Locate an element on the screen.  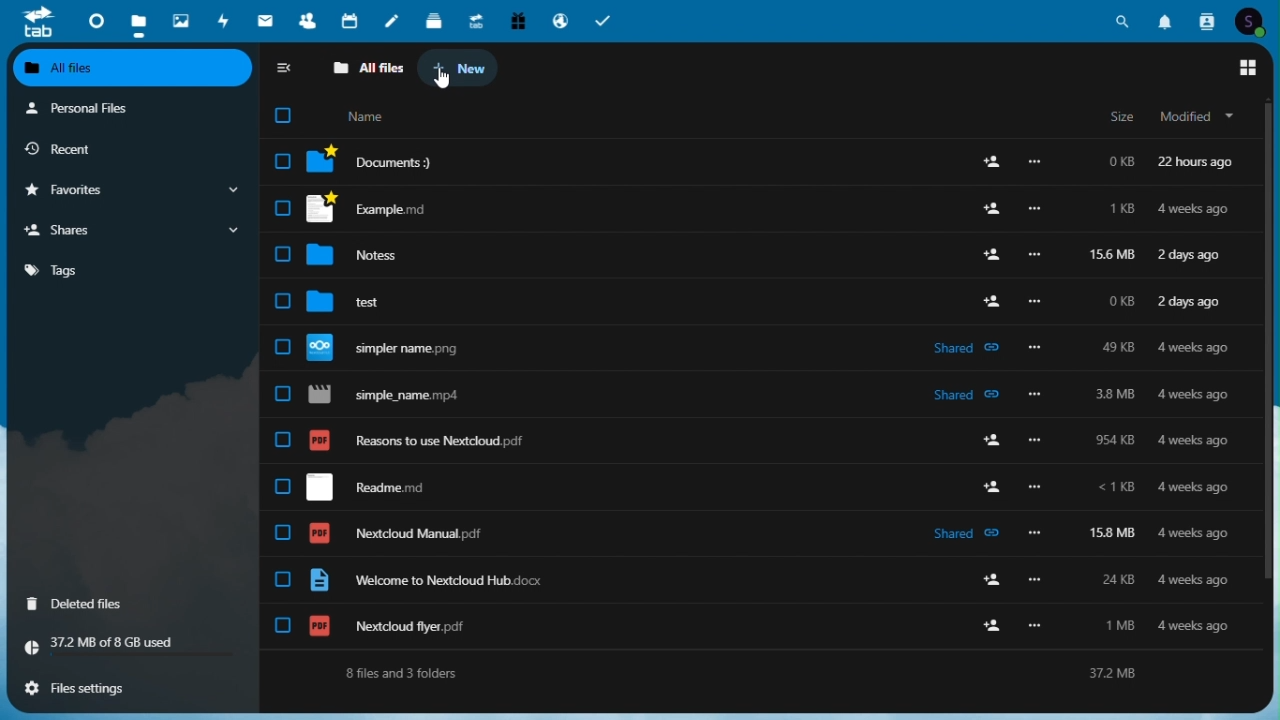
more options is located at coordinates (1043, 349).